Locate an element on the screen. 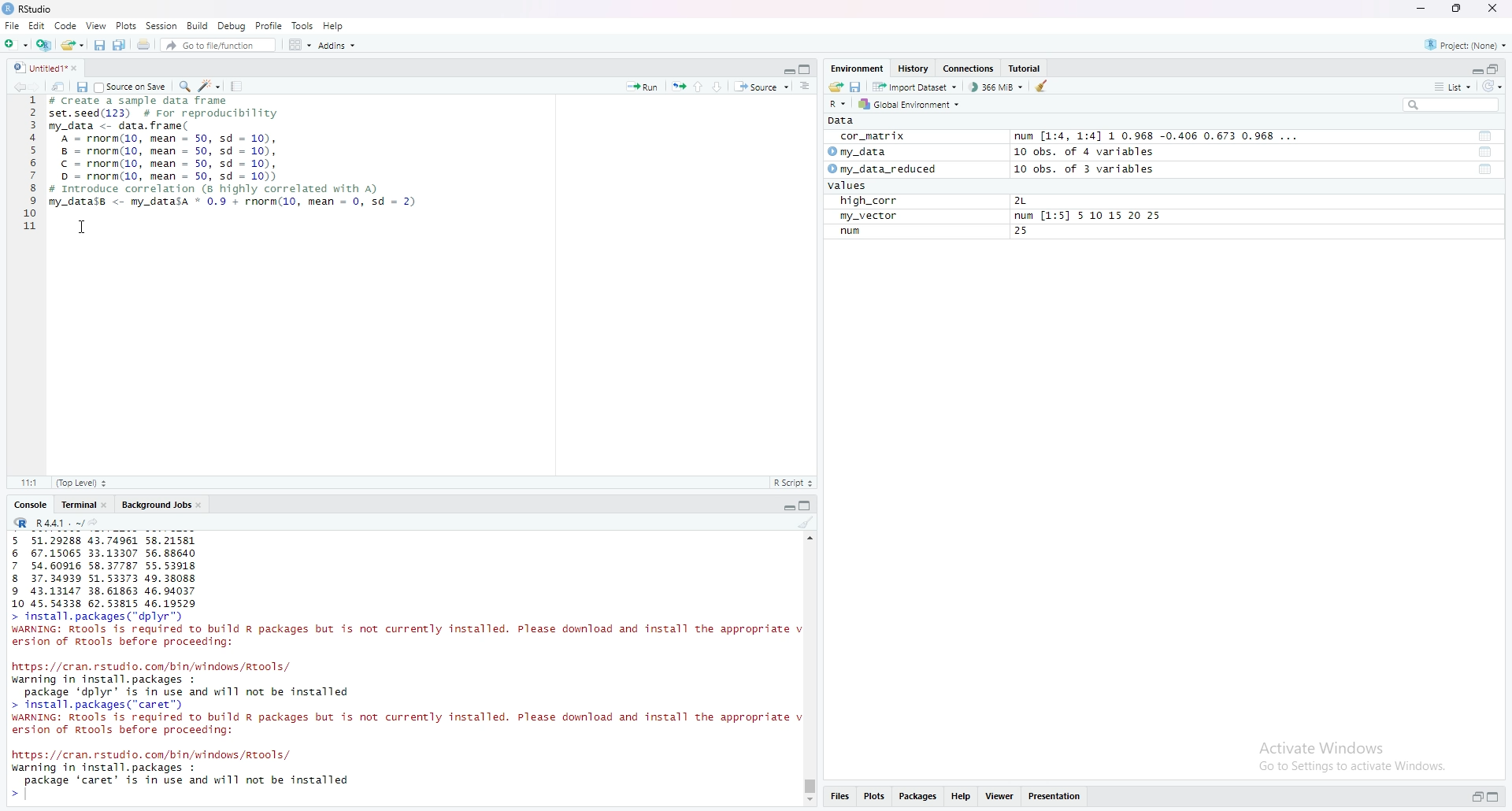 The image size is (1512, 811). > install.packages( dplyr)
WARNING: Rtools is required to build R packages but is not currently installed. Please download and install the appropriate v
ersion of Rtools before proceeding: is located at coordinates (405, 633).